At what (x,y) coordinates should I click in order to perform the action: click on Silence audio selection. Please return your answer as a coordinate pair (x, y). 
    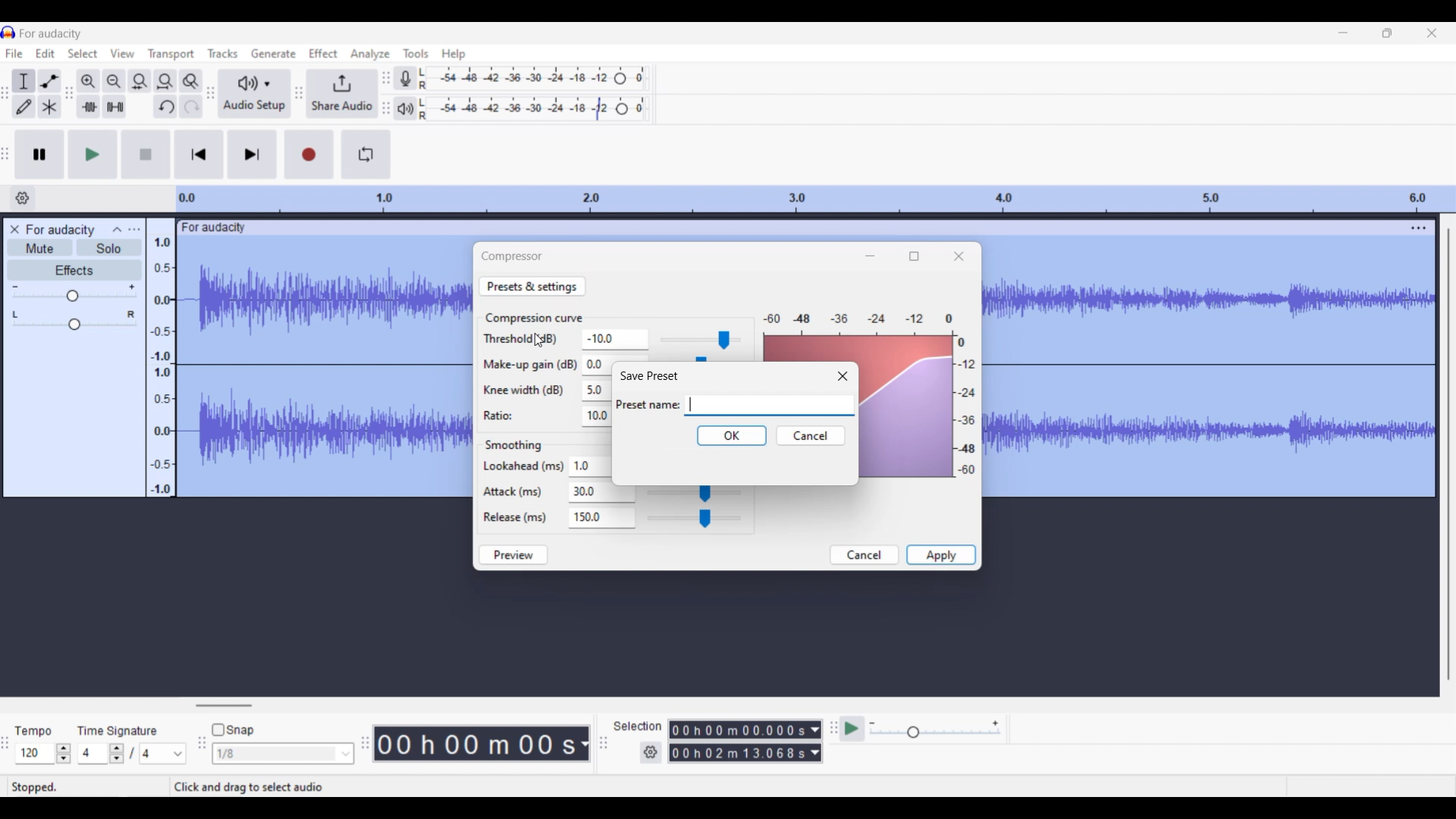
    Looking at the image, I should click on (115, 106).